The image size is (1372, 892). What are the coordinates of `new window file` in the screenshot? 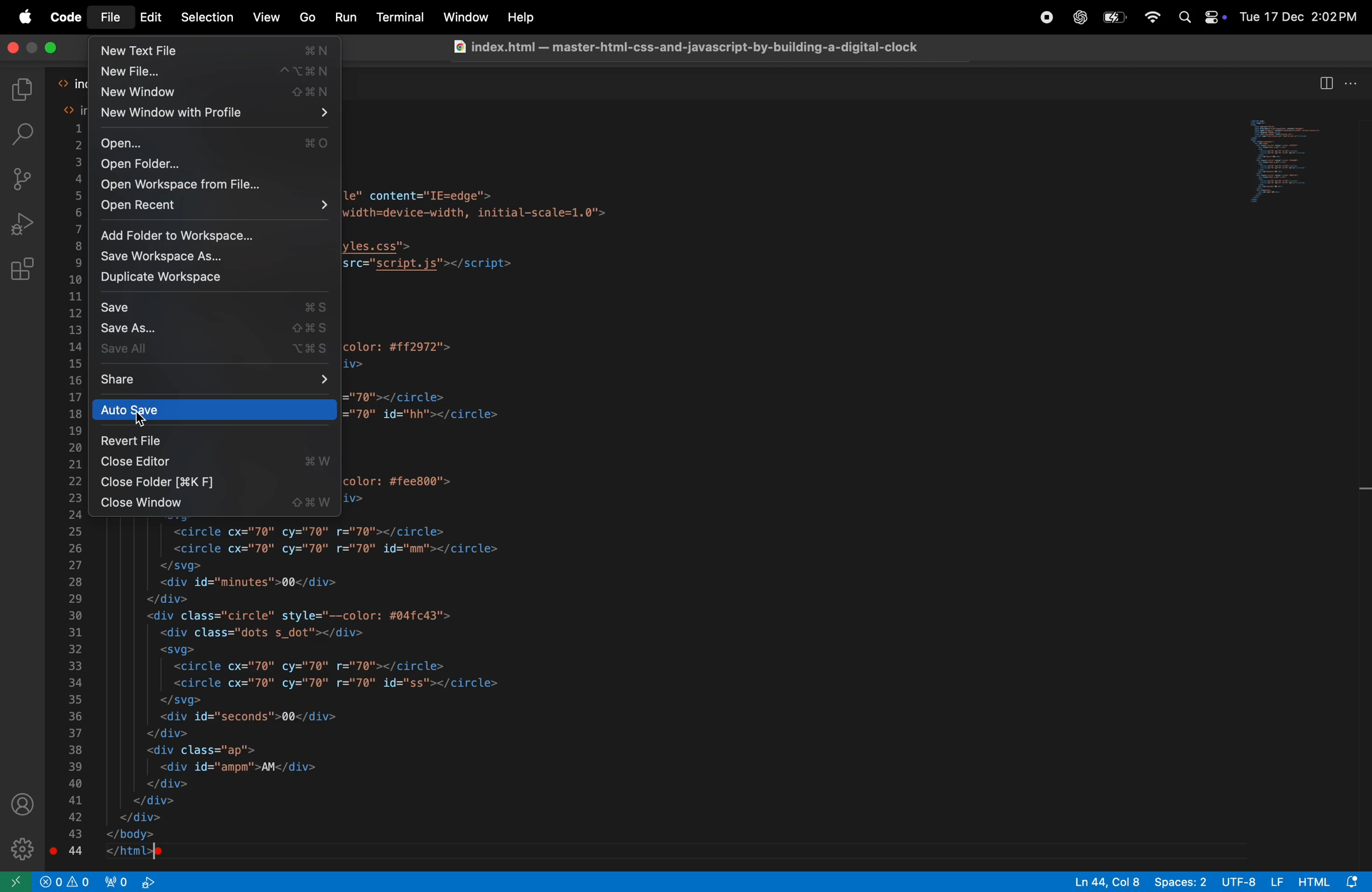 It's located at (214, 114).